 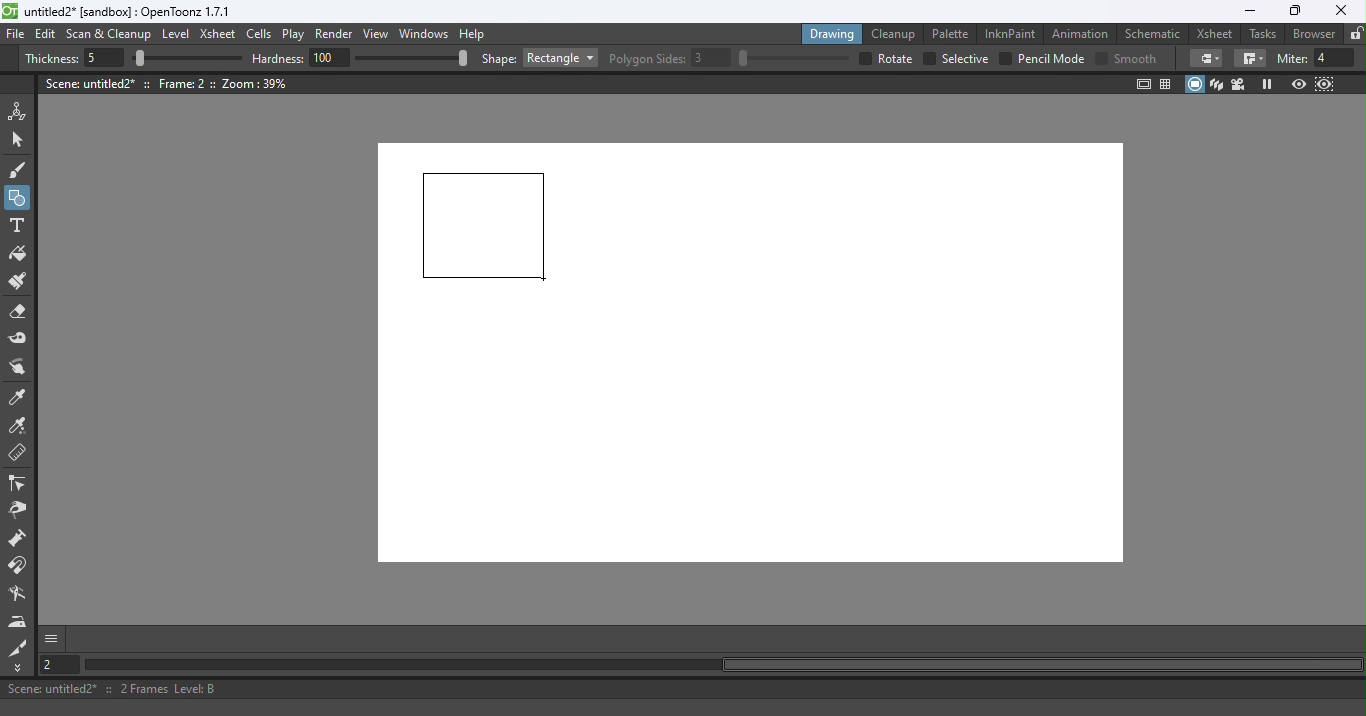 I want to click on 3D View, so click(x=1218, y=84).